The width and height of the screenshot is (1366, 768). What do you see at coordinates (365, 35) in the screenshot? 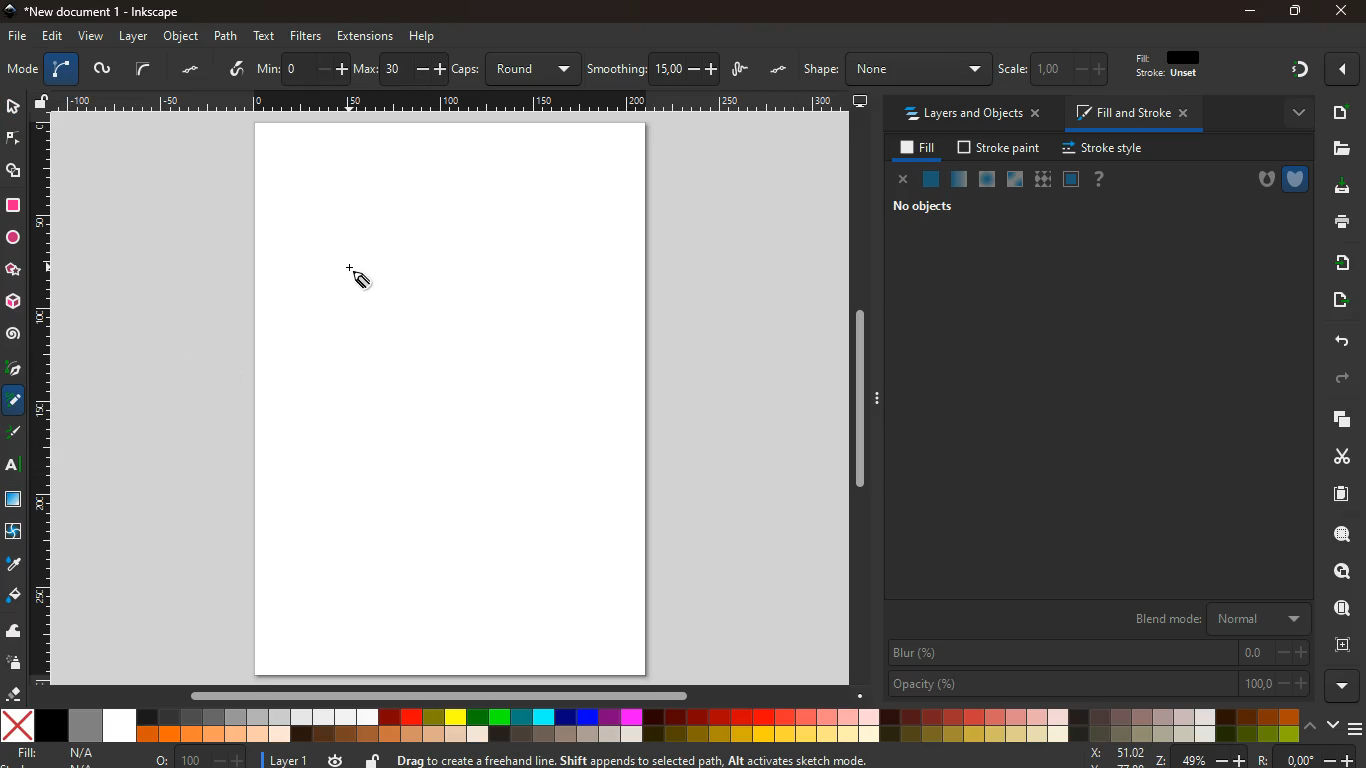
I see `extensions` at bounding box center [365, 35].